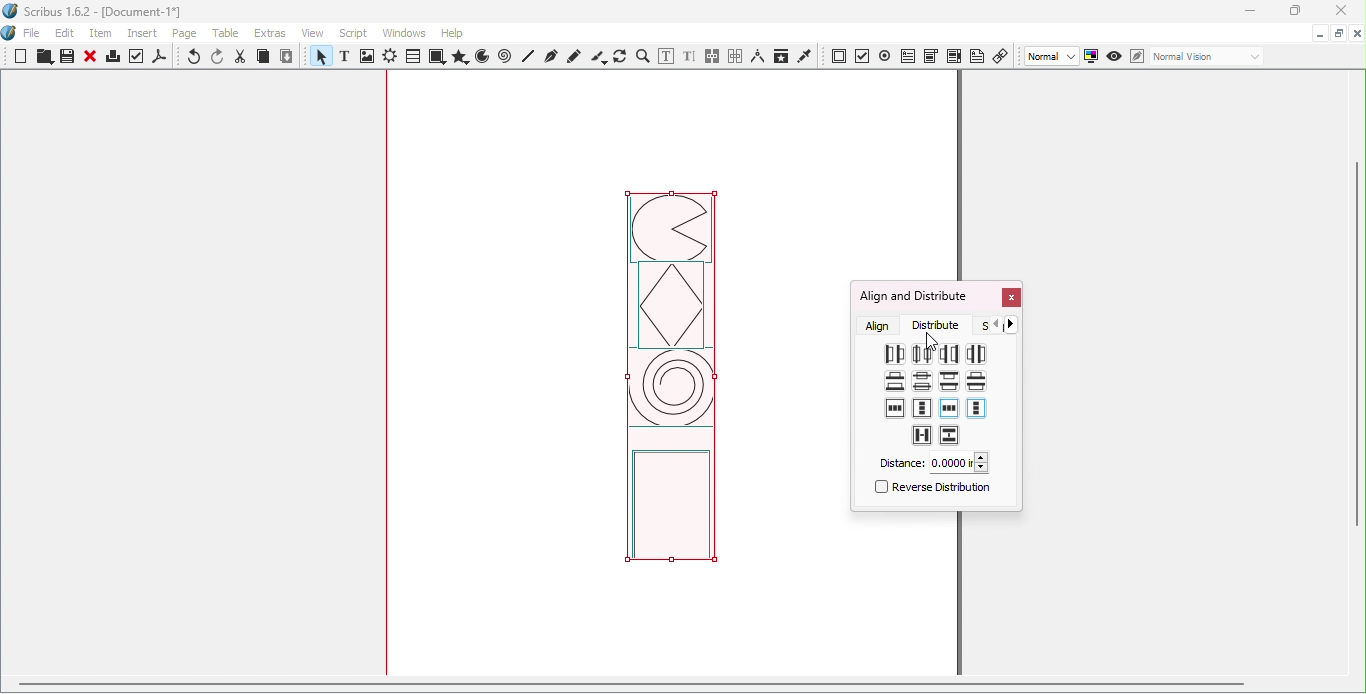 The width and height of the screenshot is (1366, 694). Describe the element at coordinates (229, 34) in the screenshot. I see `Table` at that location.